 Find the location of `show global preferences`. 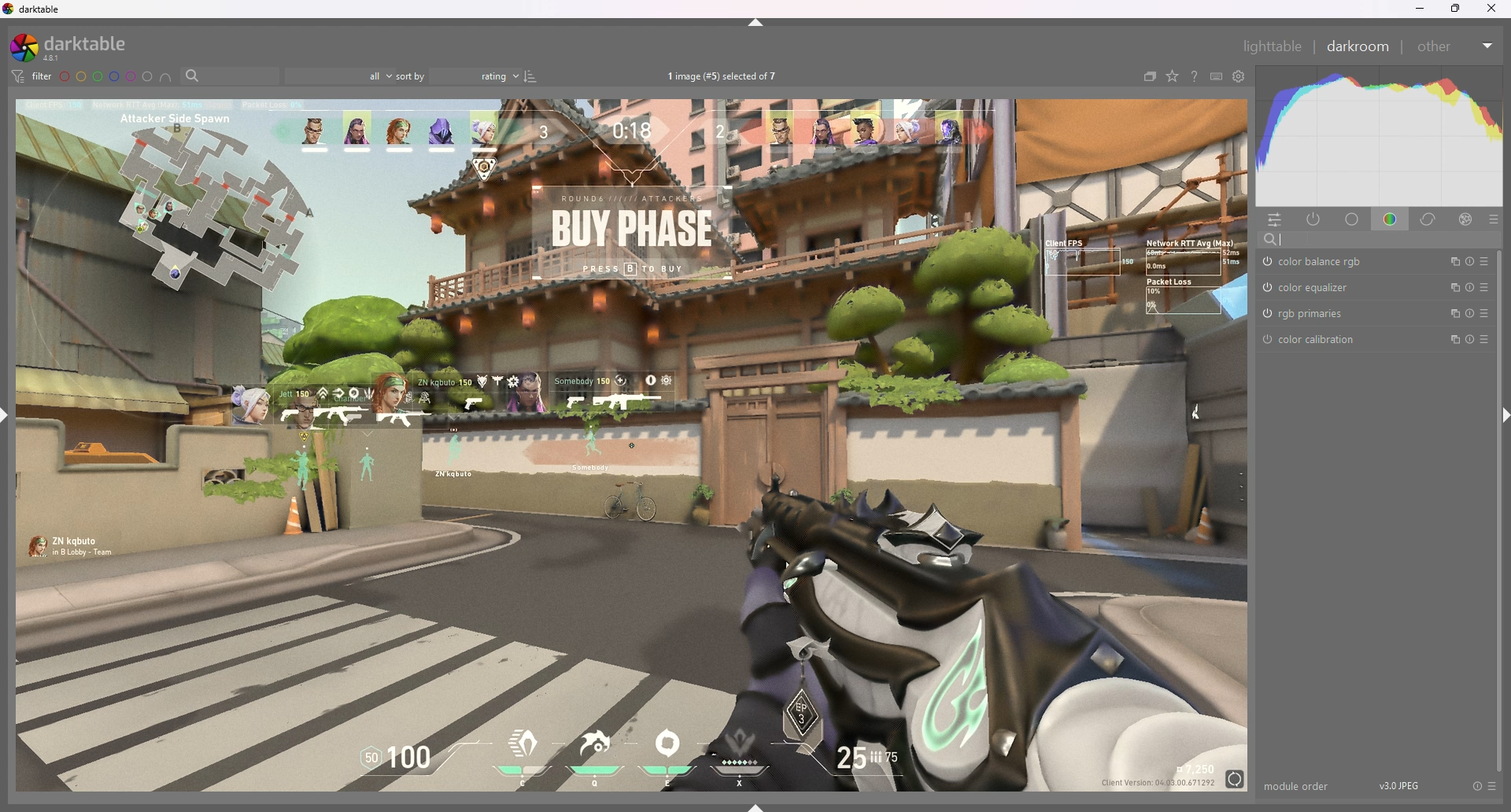

show global preferences is located at coordinates (1239, 76).